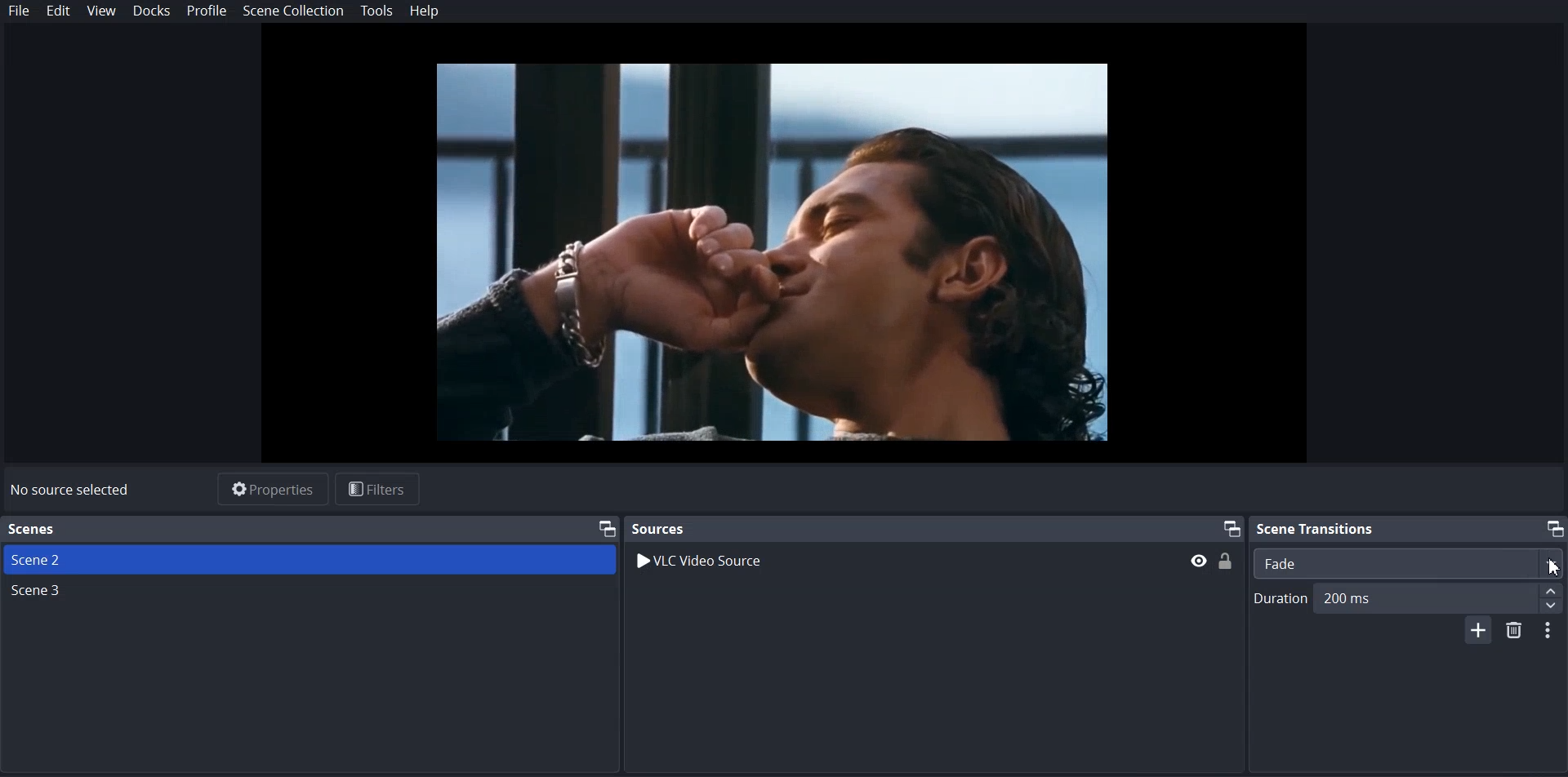 The width and height of the screenshot is (1568, 777). Describe the element at coordinates (207, 11) in the screenshot. I see `Profile` at that location.